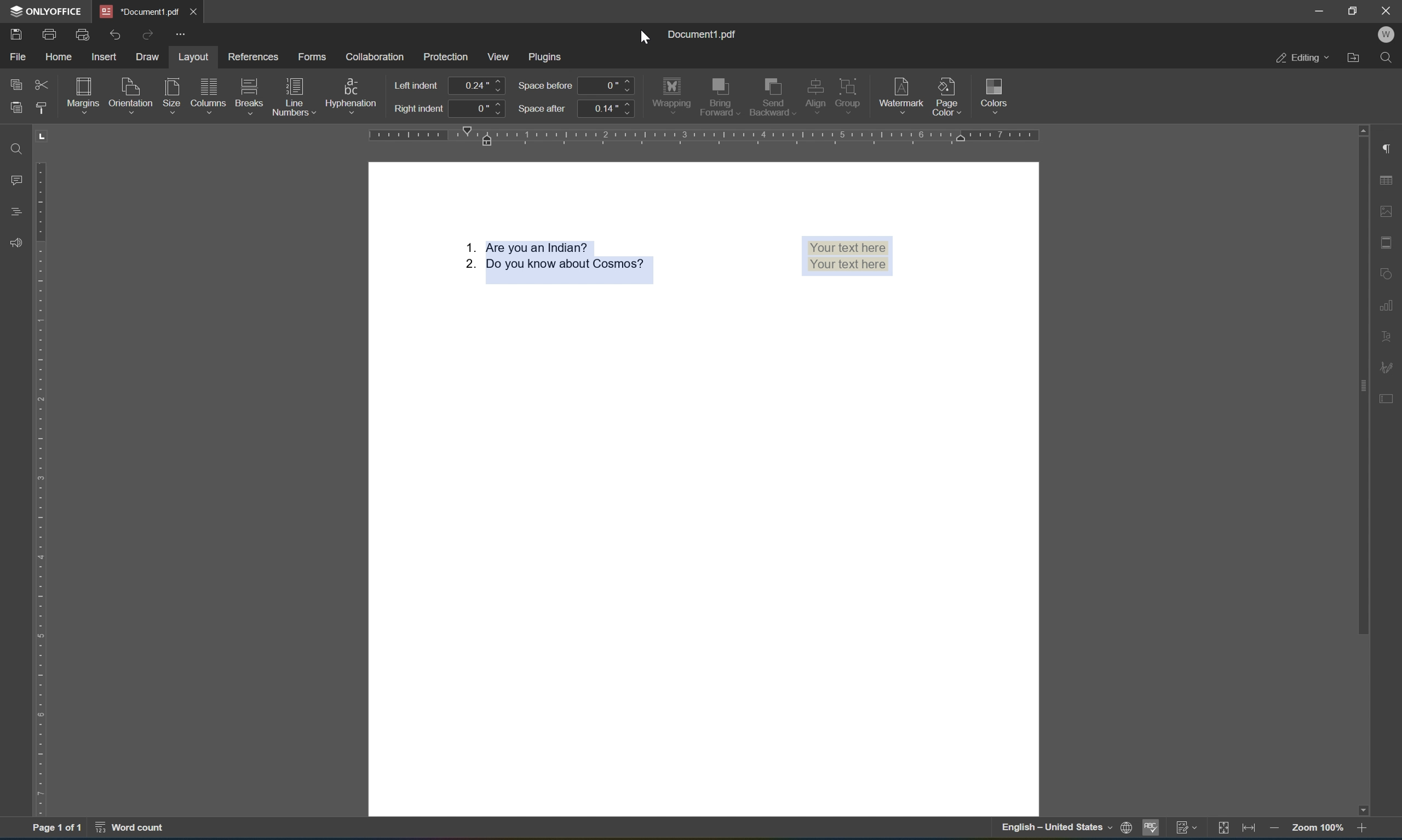 This screenshot has height=840, width=1402. I want to click on 0, so click(481, 110).